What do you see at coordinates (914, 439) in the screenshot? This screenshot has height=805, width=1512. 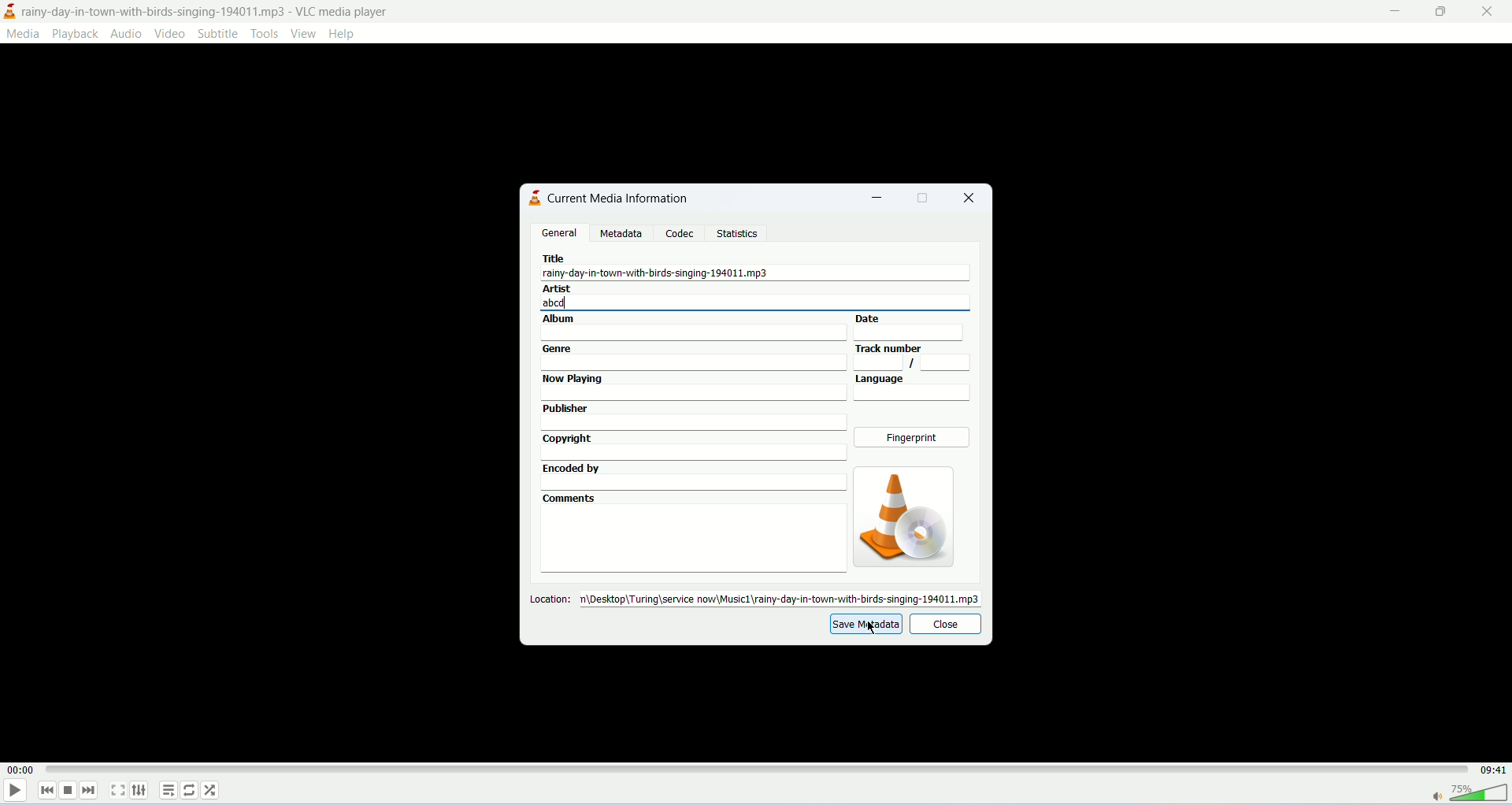 I see `fingerprint` at bounding box center [914, 439].